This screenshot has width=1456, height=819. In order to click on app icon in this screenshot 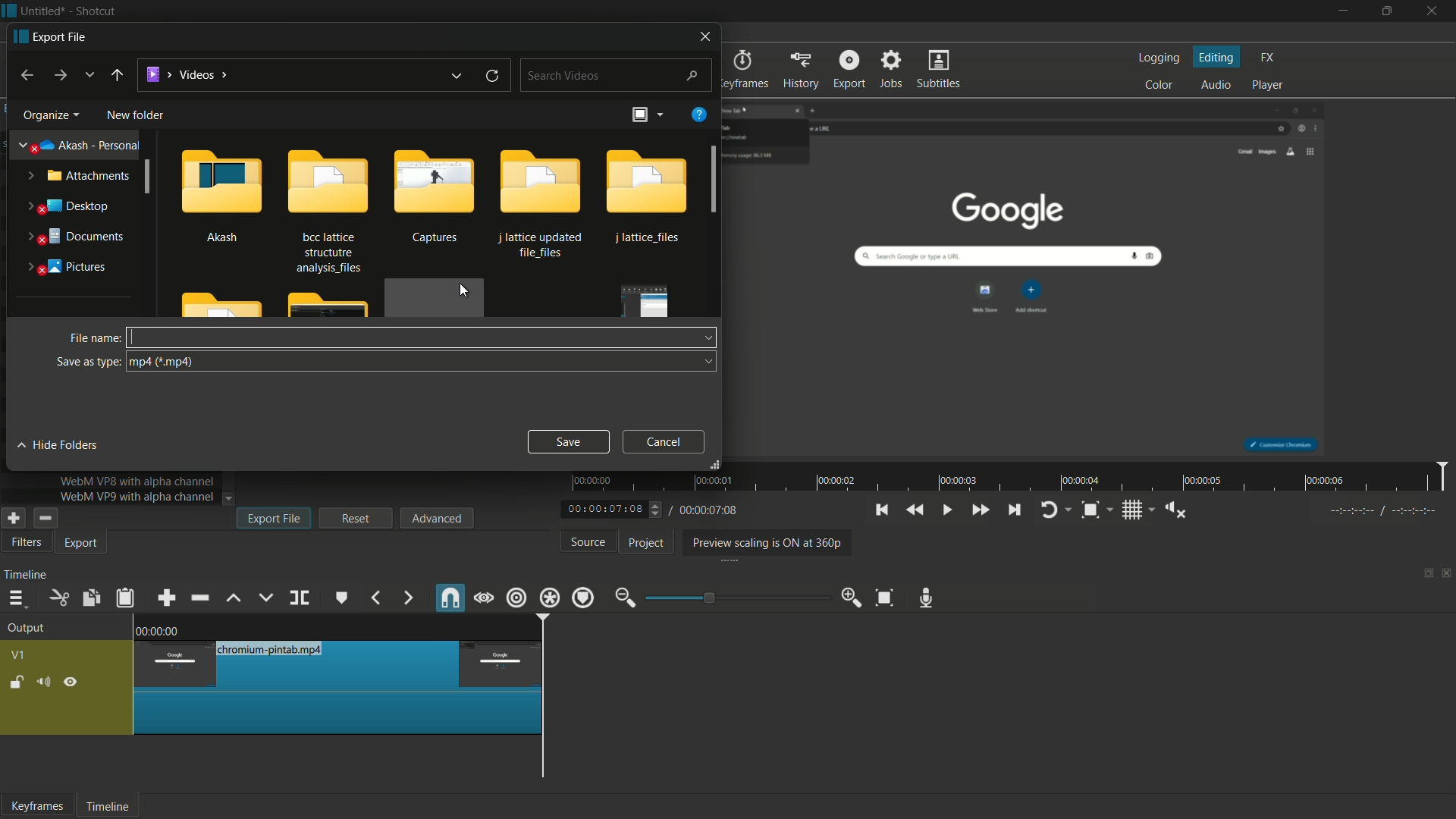, I will do `click(9, 10)`.